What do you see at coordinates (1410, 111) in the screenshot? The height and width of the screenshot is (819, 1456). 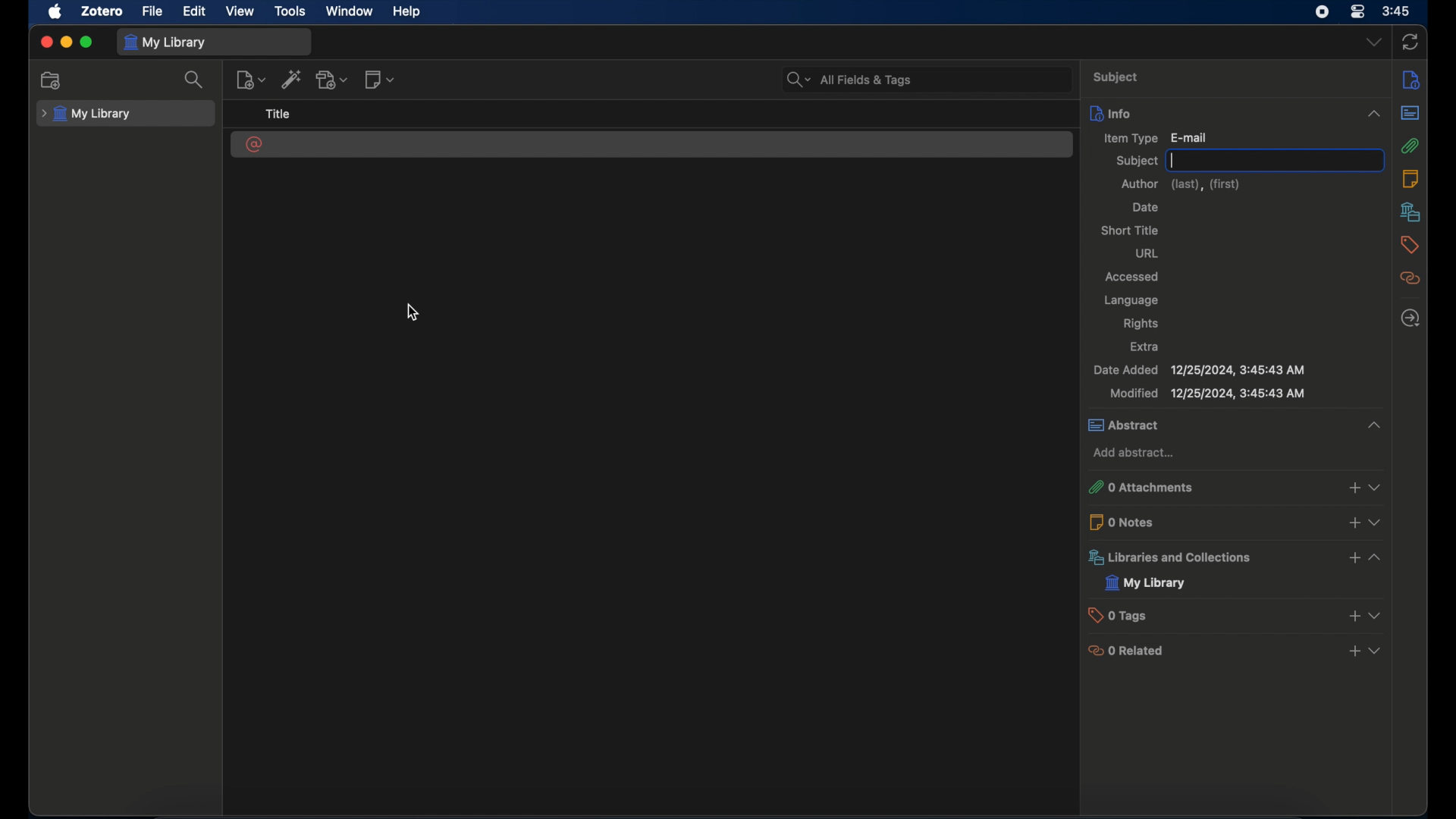 I see `abstract` at bounding box center [1410, 111].